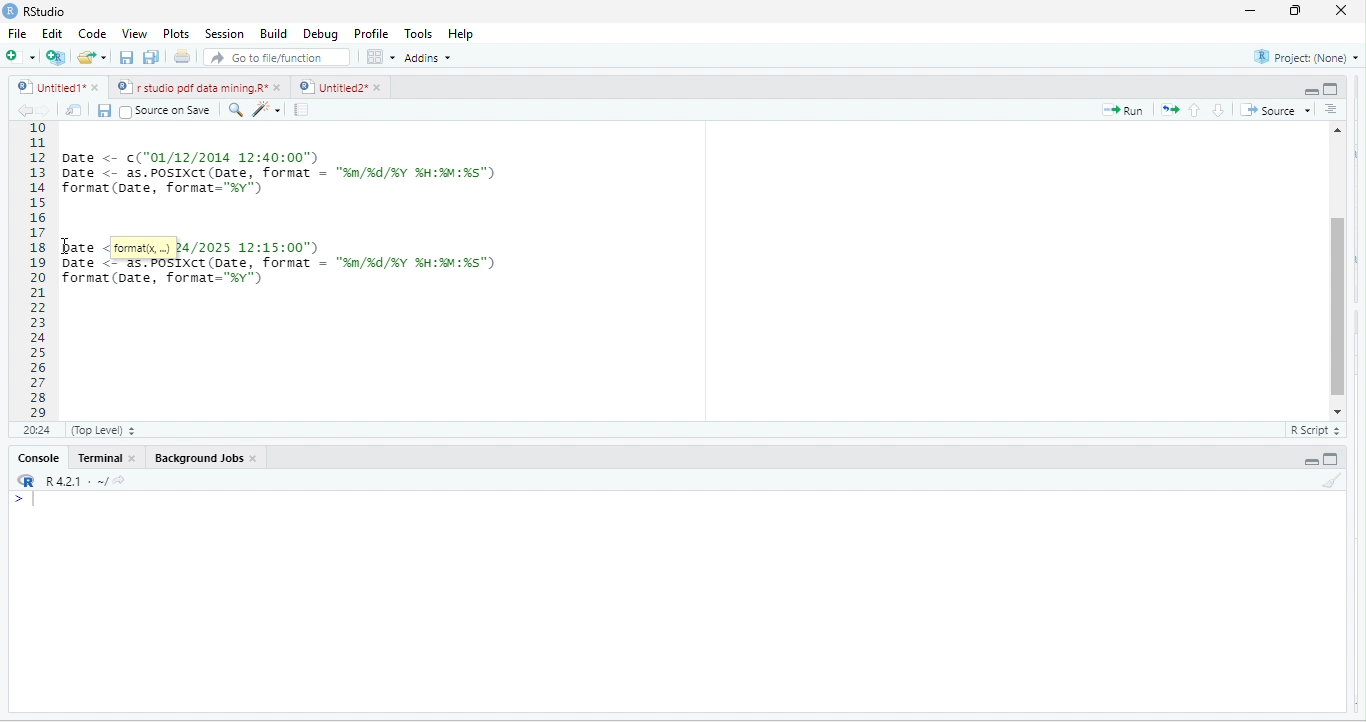  What do you see at coordinates (222, 34) in the screenshot?
I see `Session` at bounding box center [222, 34].